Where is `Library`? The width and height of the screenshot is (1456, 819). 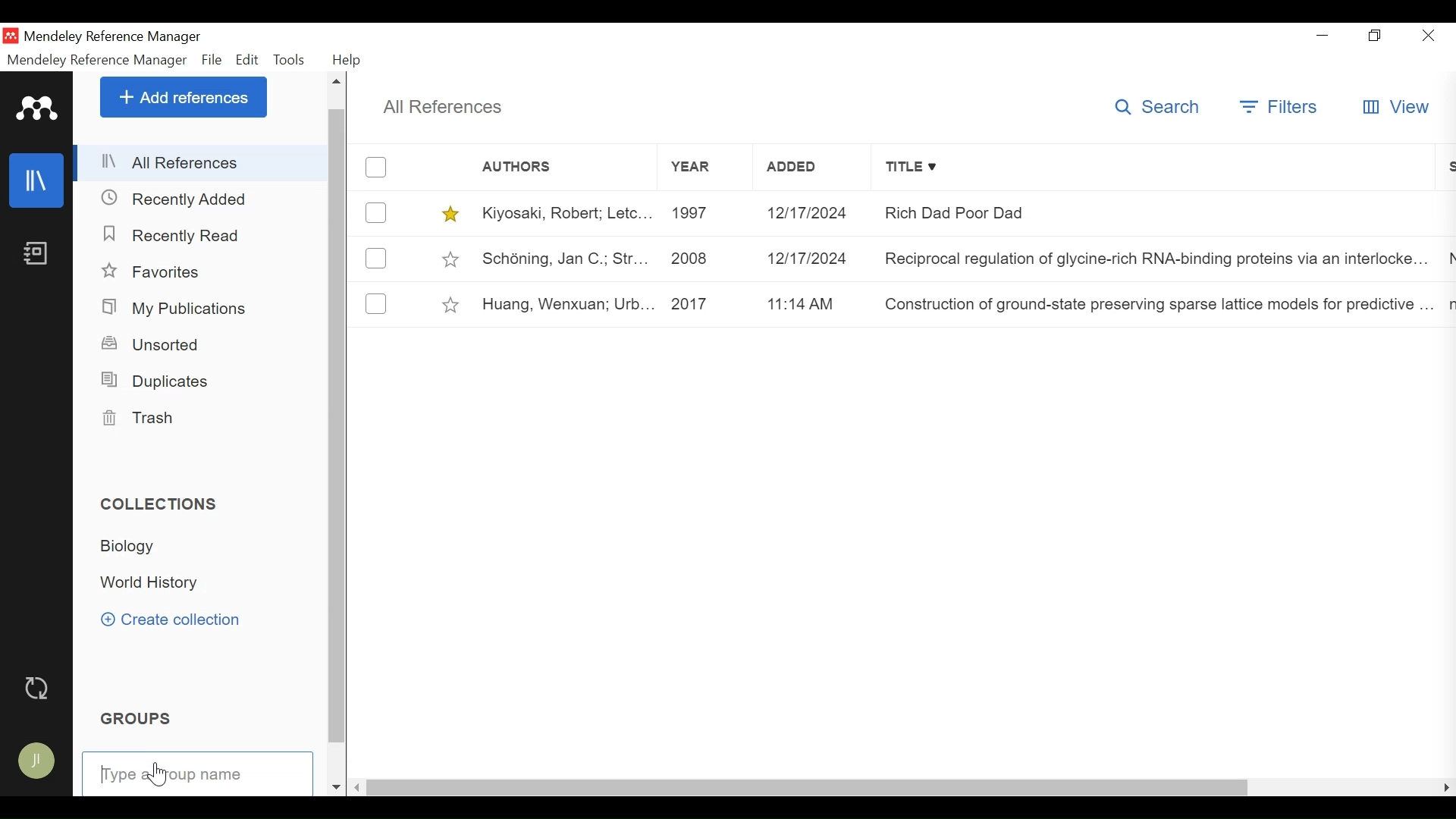
Library is located at coordinates (37, 181).